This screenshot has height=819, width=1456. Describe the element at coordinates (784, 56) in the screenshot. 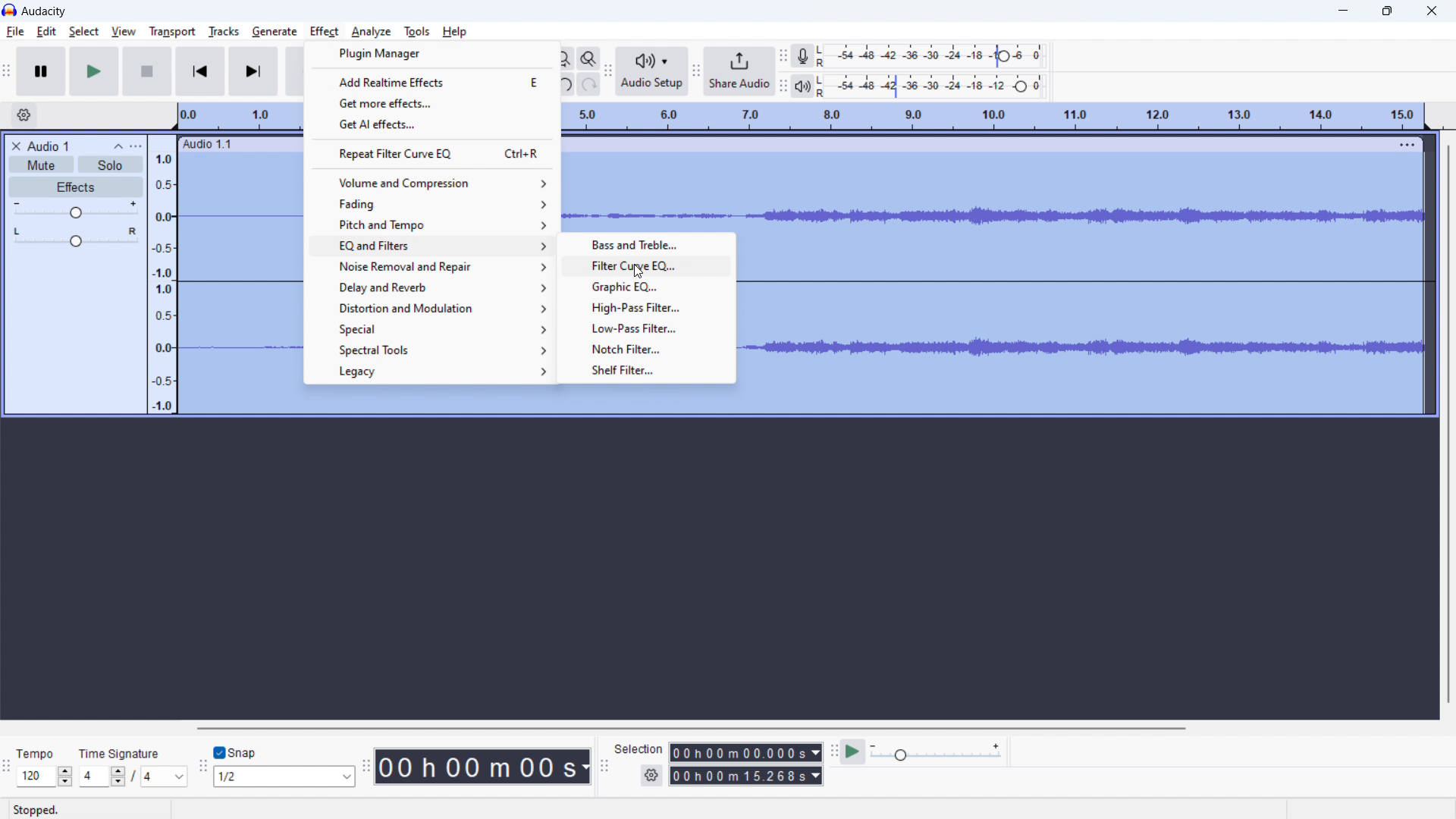

I see `recording meter toolbar` at that location.